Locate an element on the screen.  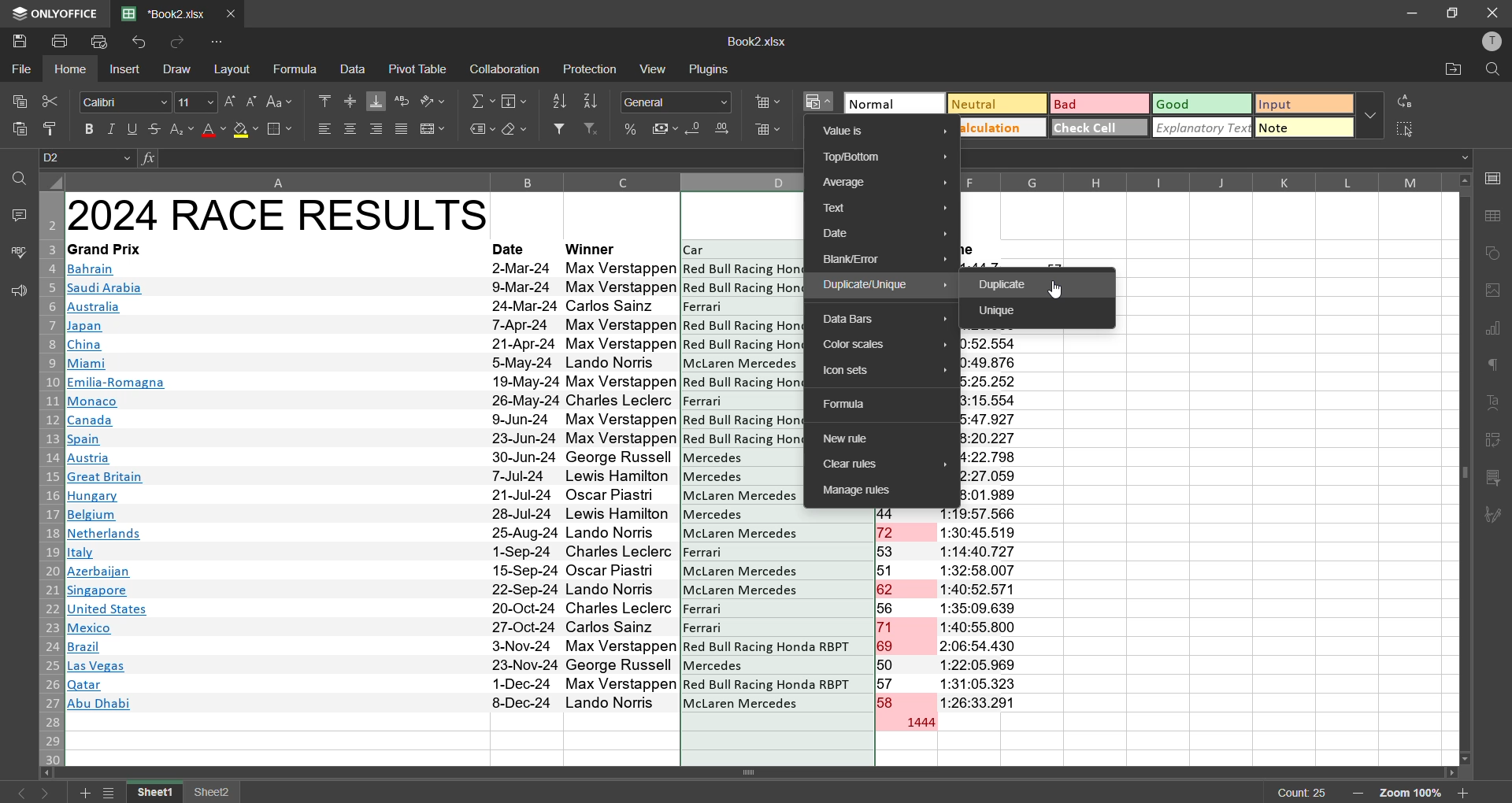
text is located at coordinates (883, 209).